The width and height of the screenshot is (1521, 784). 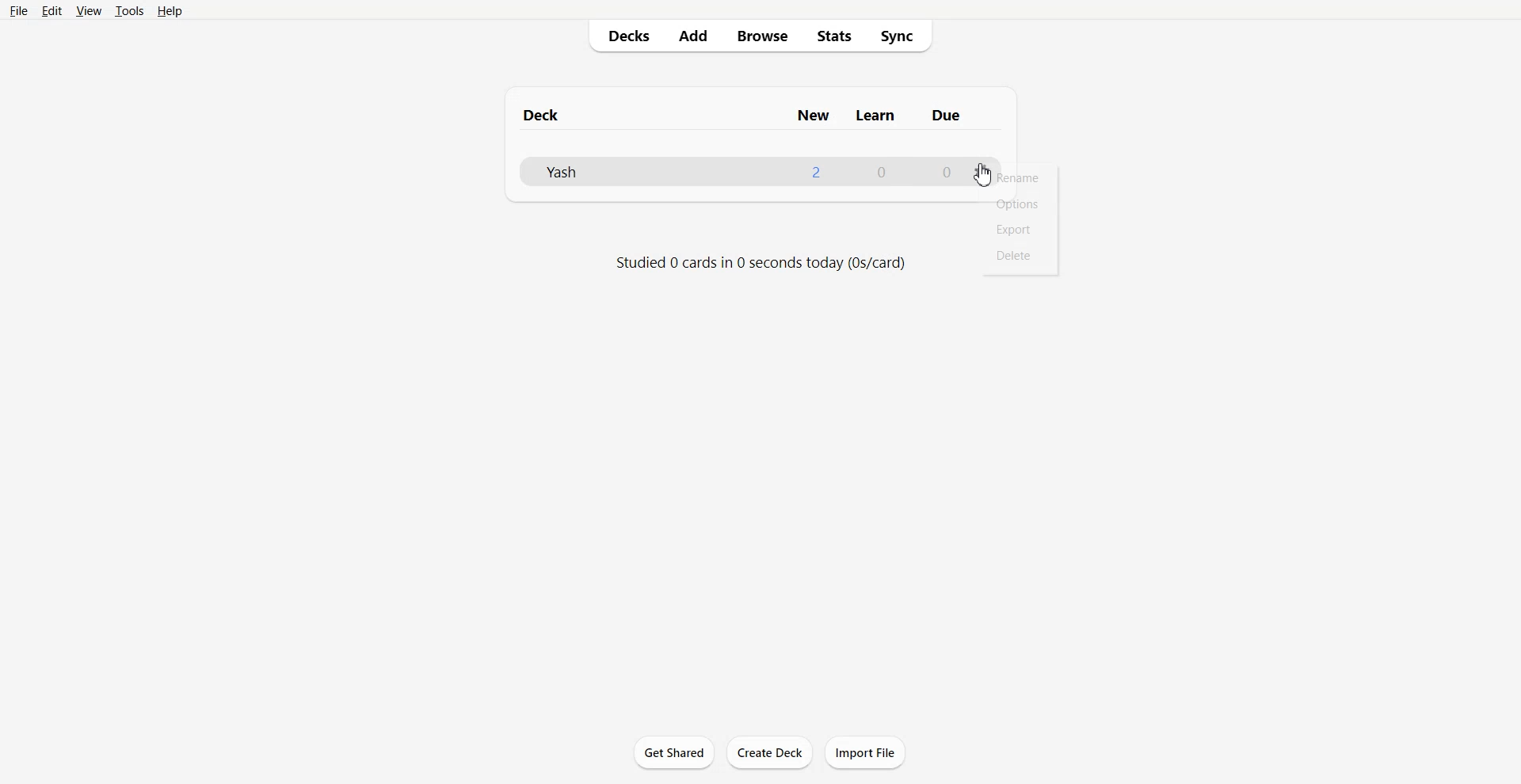 I want to click on File, so click(x=19, y=12).